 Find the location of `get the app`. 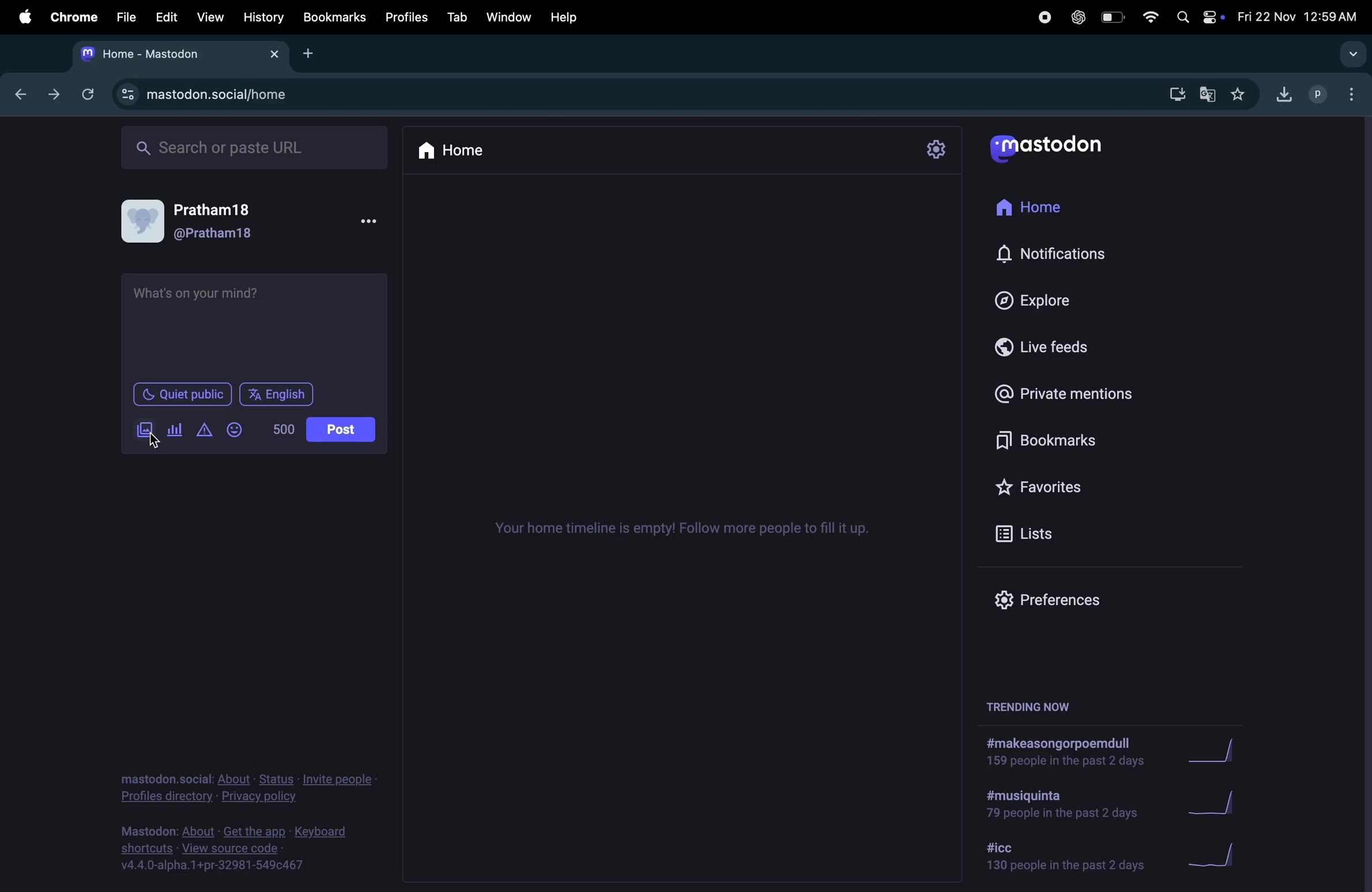

get the app is located at coordinates (257, 830).